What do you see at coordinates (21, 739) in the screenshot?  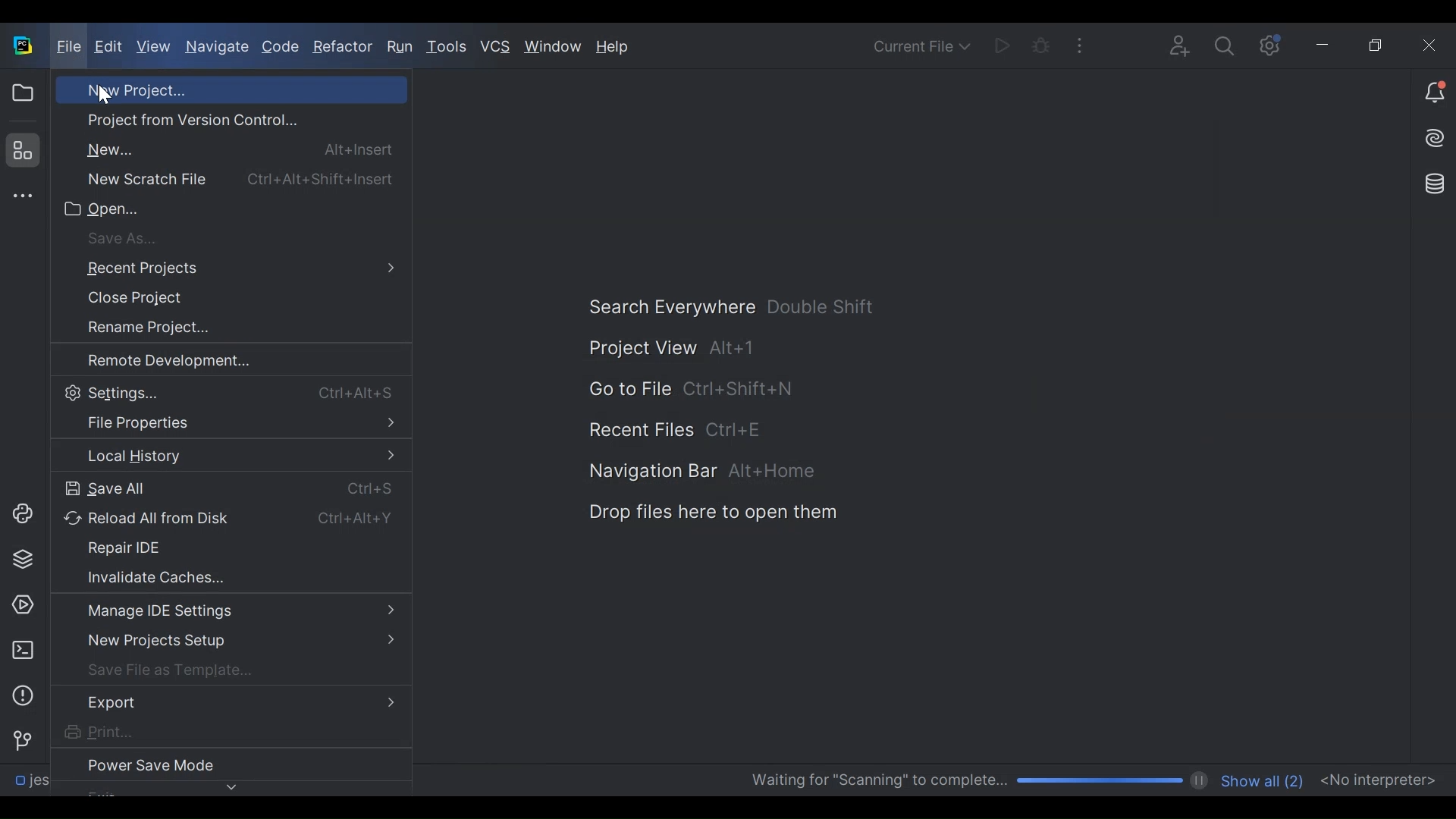 I see `Version Control` at bounding box center [21, 739].